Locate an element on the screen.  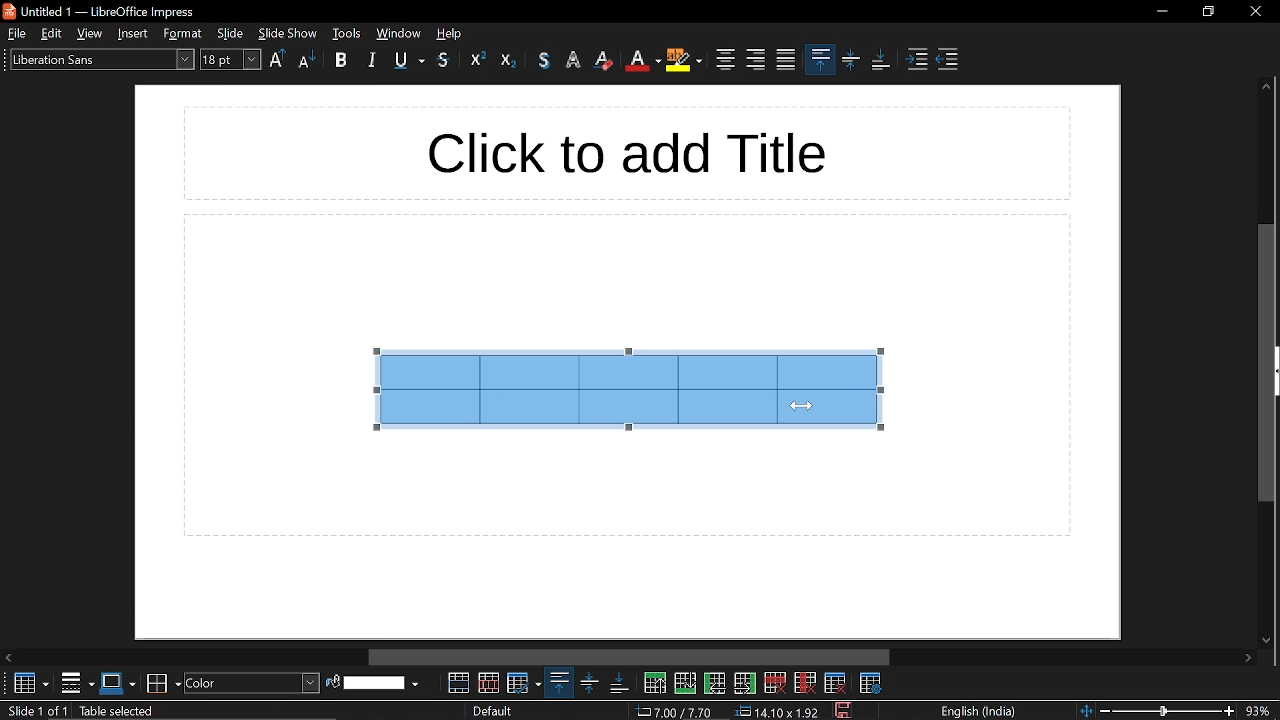
zoom out is located at coordinates (1107, 710).